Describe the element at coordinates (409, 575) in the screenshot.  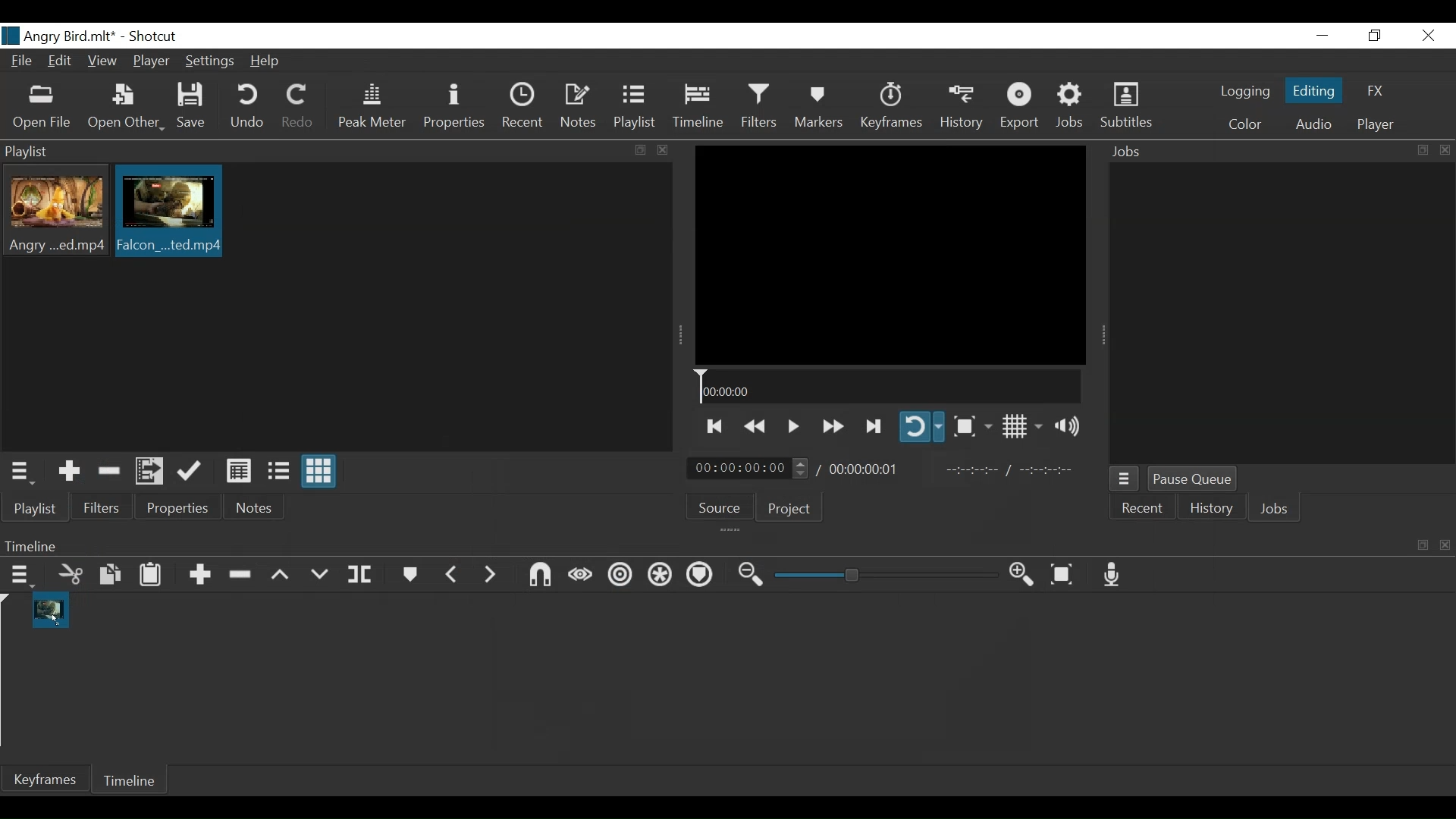
I see `Markers` at that location.